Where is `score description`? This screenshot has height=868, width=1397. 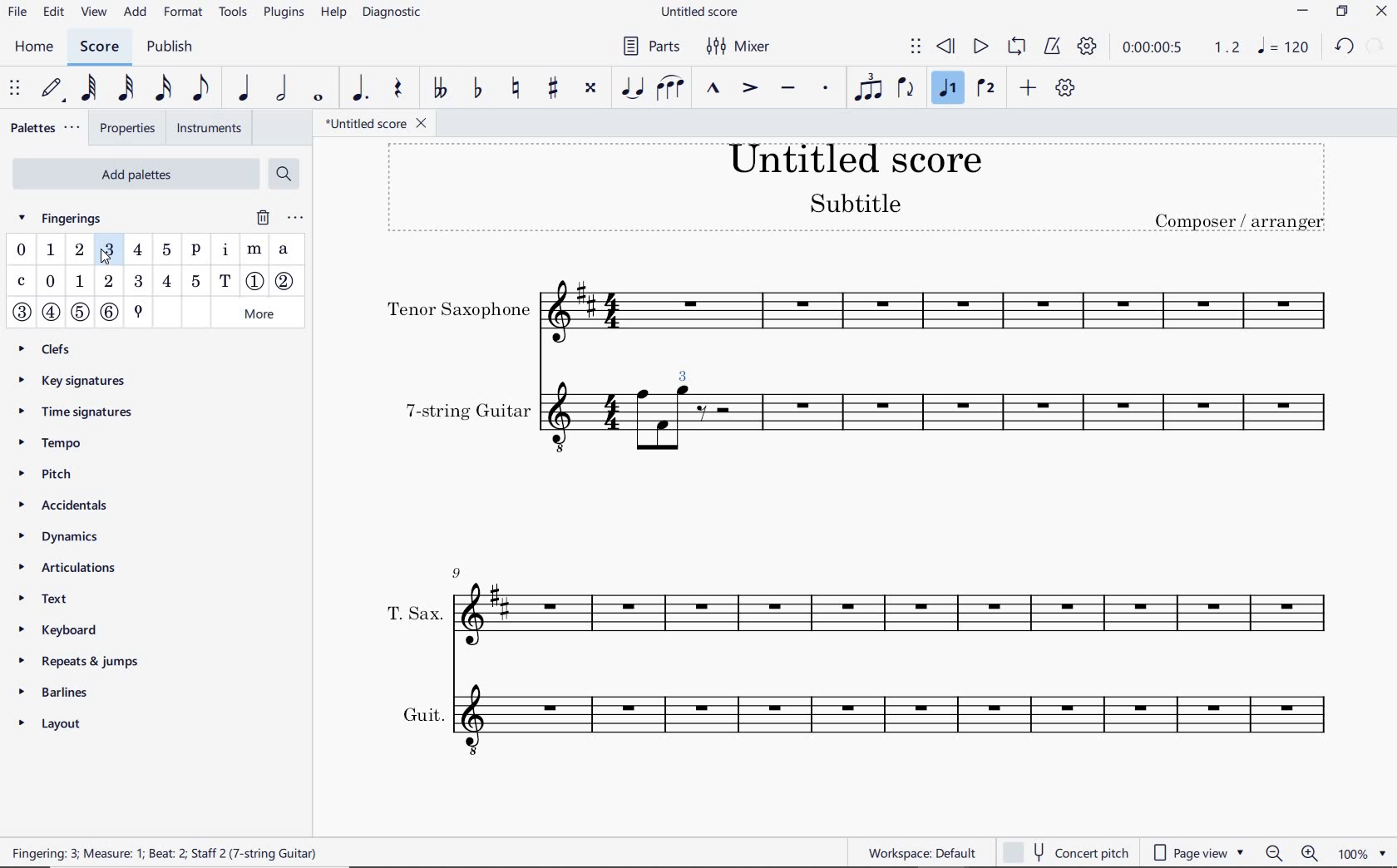 score description is located at coordinates (171, 852).